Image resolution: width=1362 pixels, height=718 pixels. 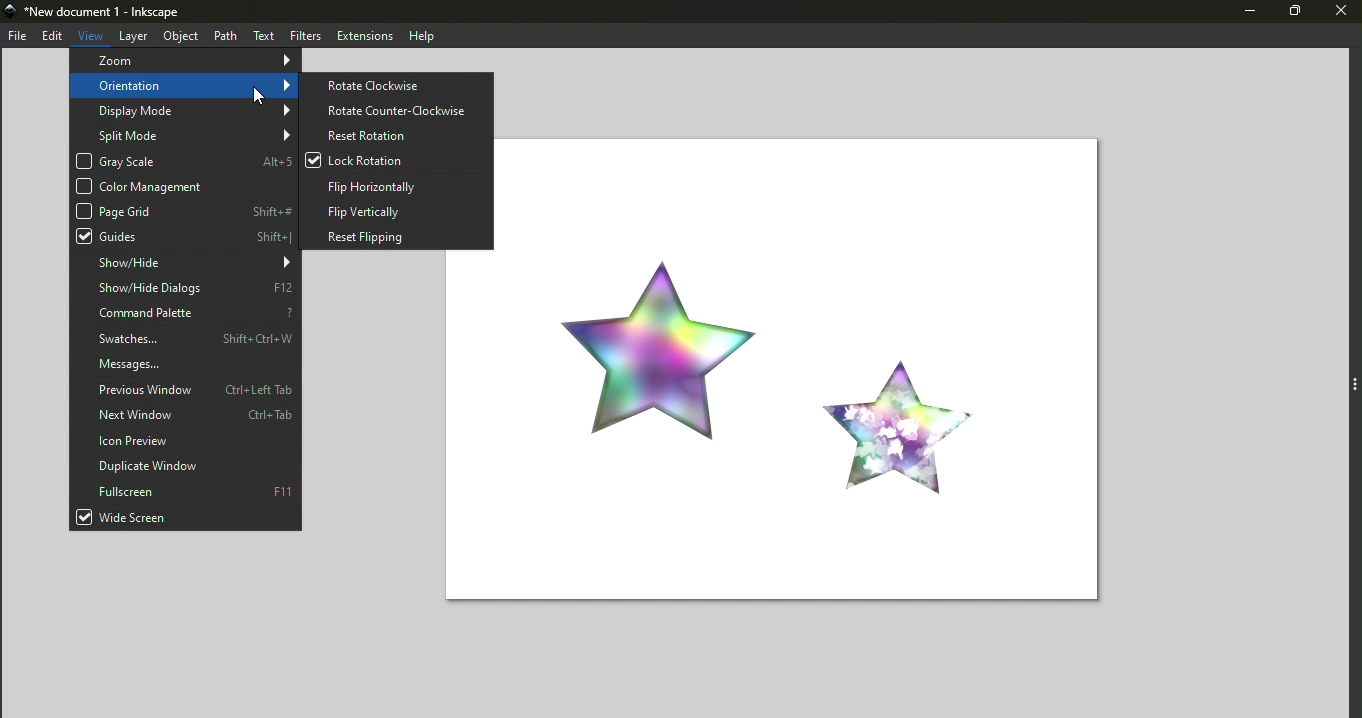 What do you see at coordinates (819, 366) in the screenshot?
I see `Canvas` at bounding box center [819, 366].